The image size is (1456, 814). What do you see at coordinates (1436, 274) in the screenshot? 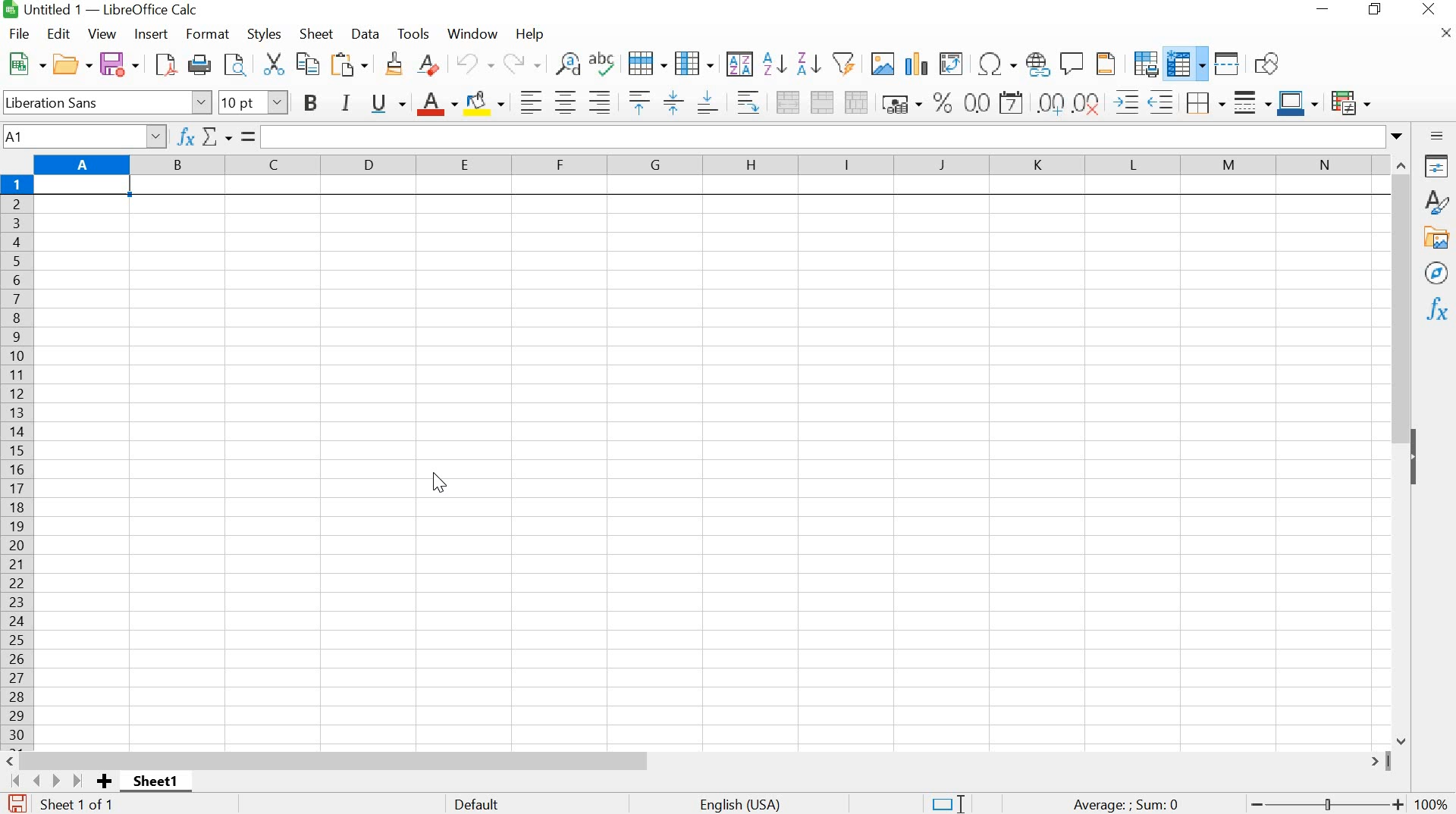
I see `NAVIGATOR` at bounding box center [1436, 274].